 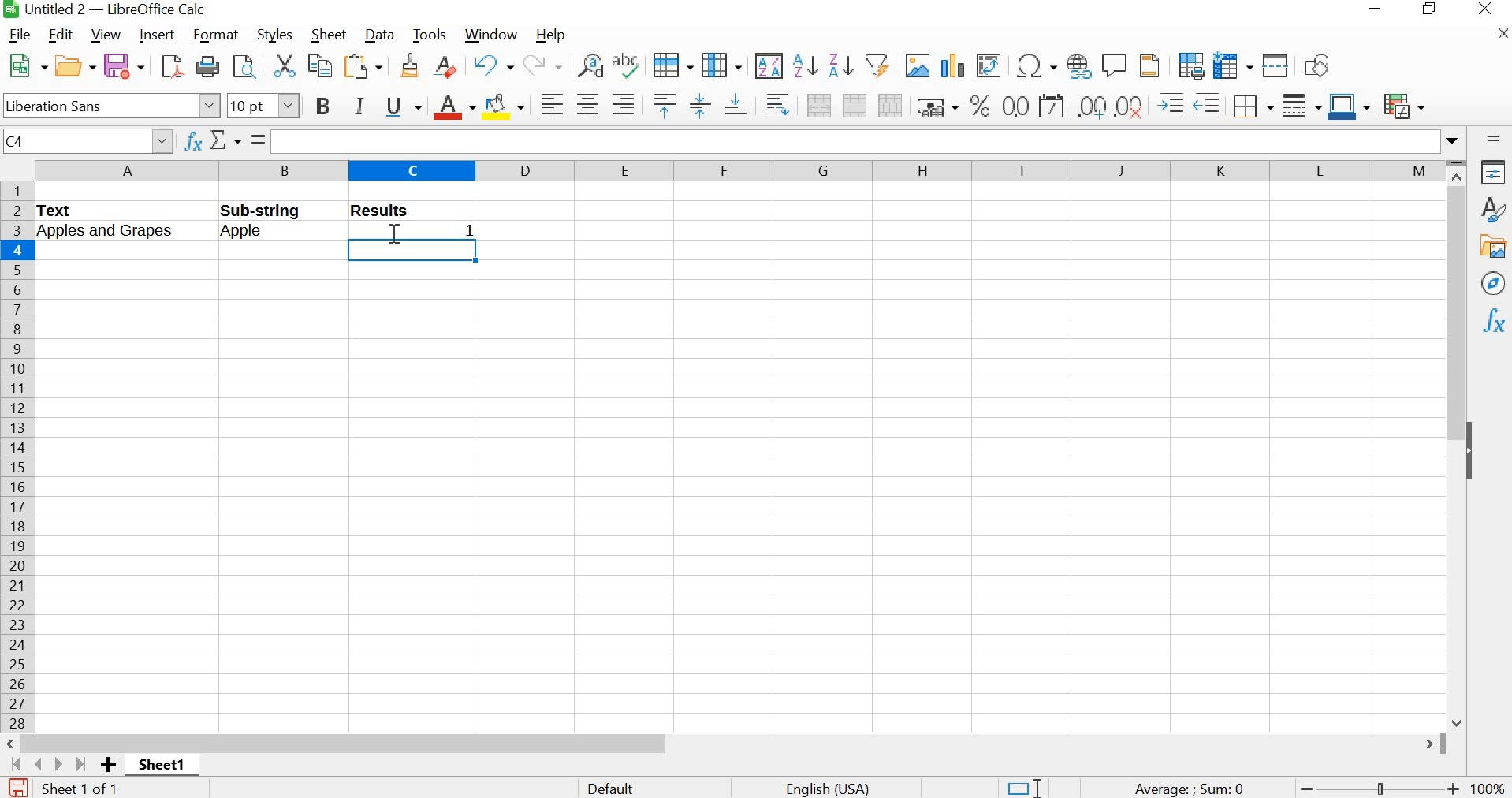 What do you see at coordinates (409, 67) in the screenshot?
I see `clone formatting` at bounding box center [409, 67].